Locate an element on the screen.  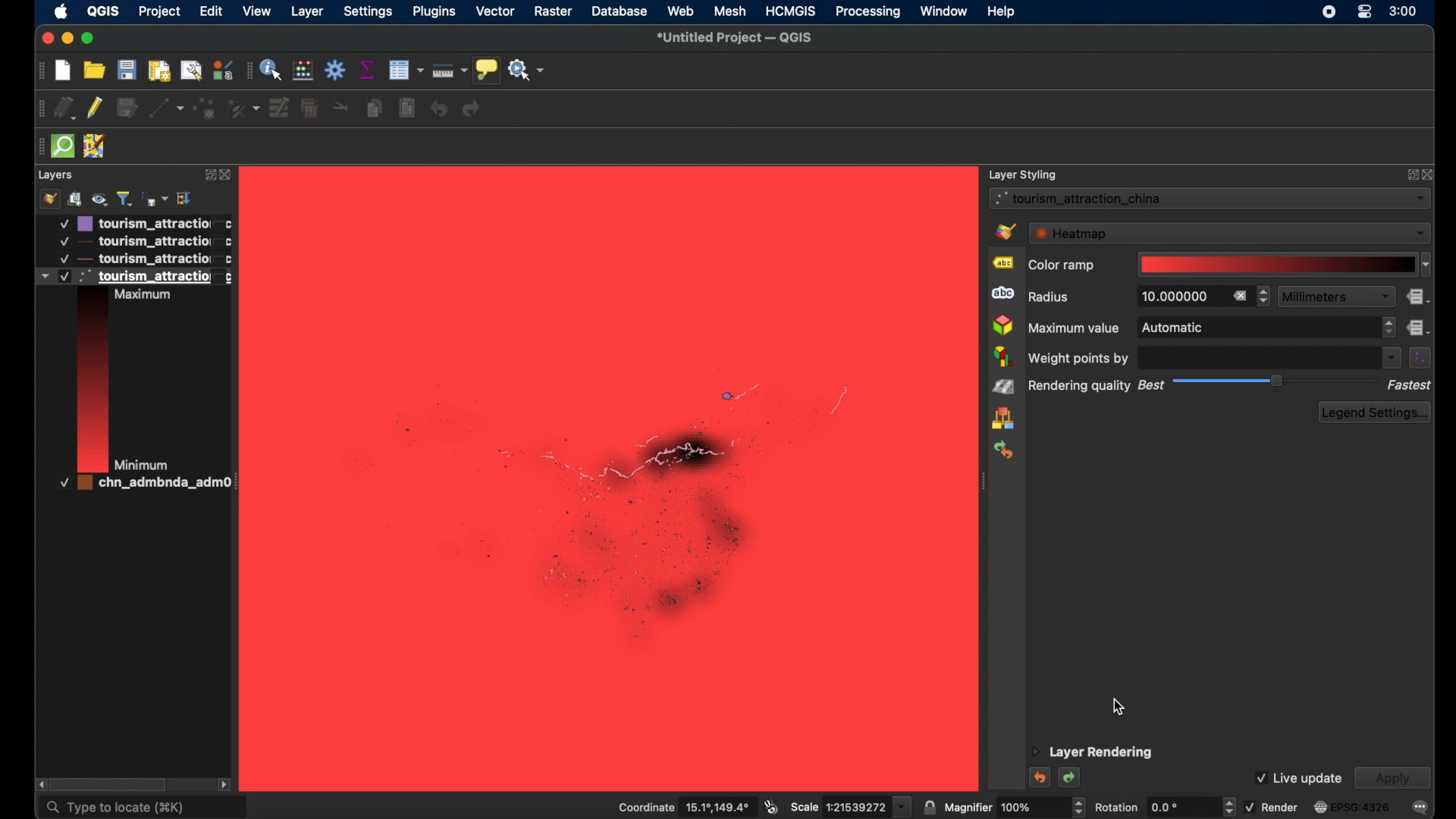
close is located at coordinates (1430, 174).